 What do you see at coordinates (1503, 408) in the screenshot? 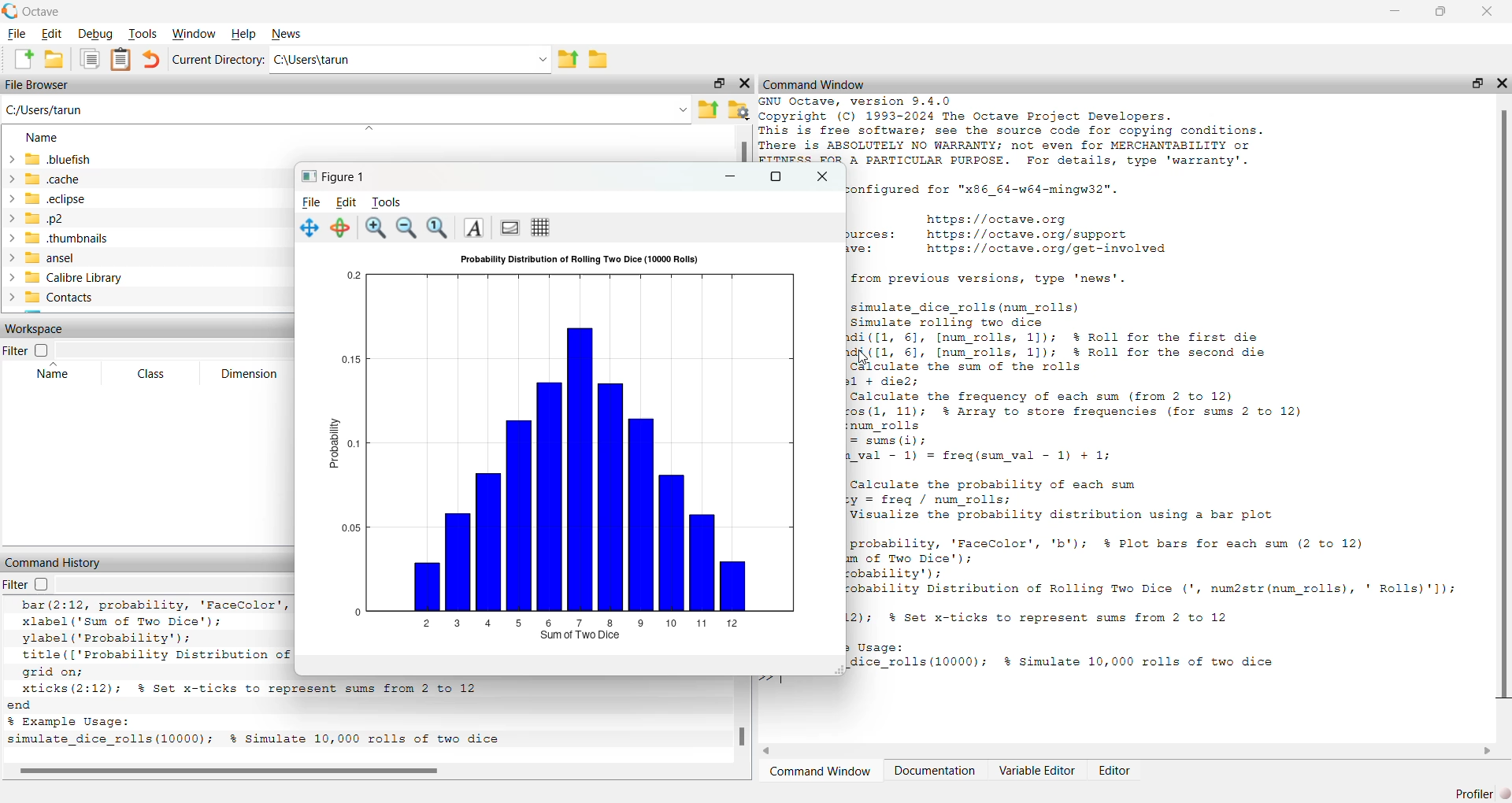
I see `scroll bar` at bounding box center [1503, 408].